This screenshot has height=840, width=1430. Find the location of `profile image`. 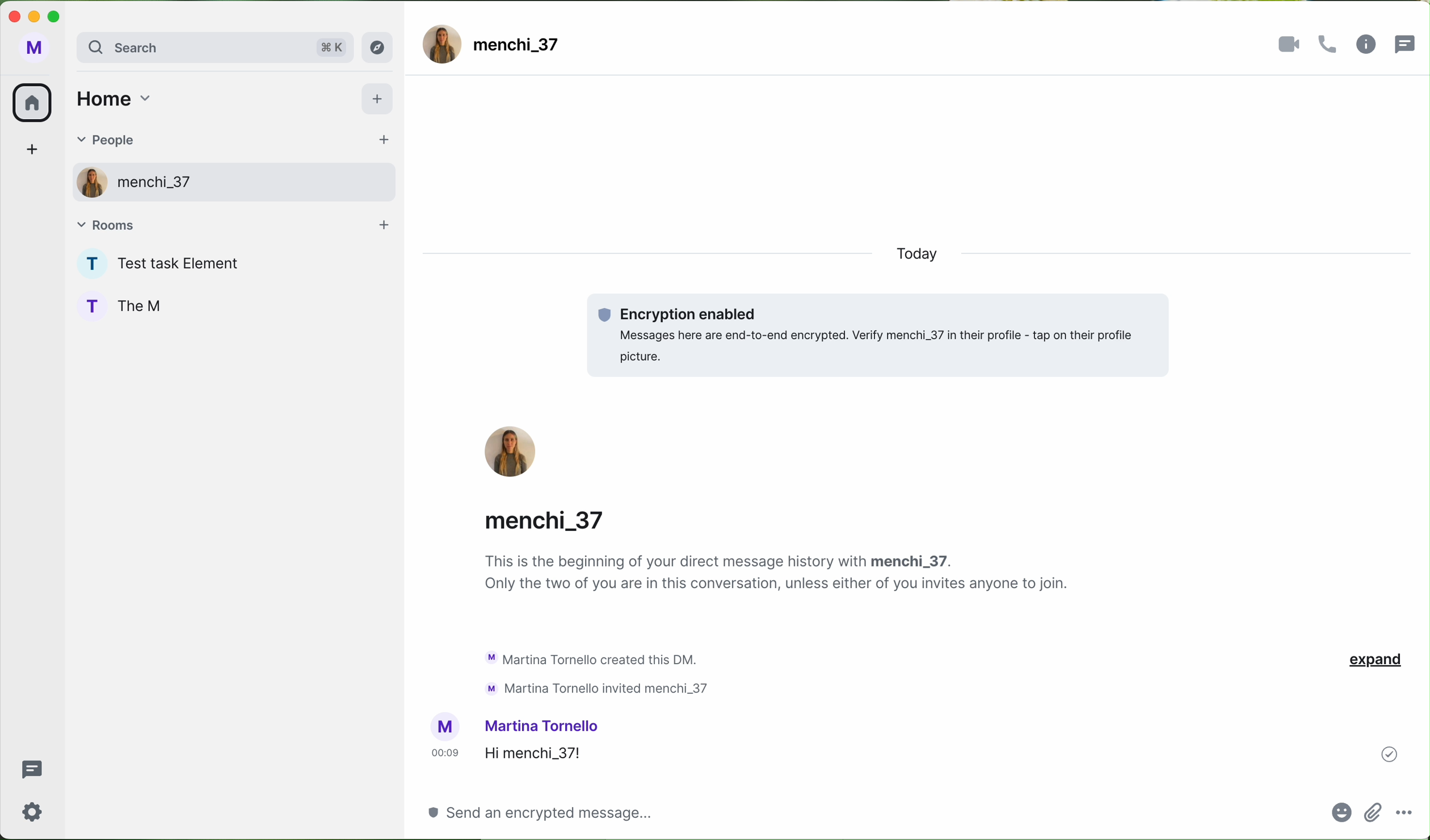

profile image is located at coordinates (442, 44).